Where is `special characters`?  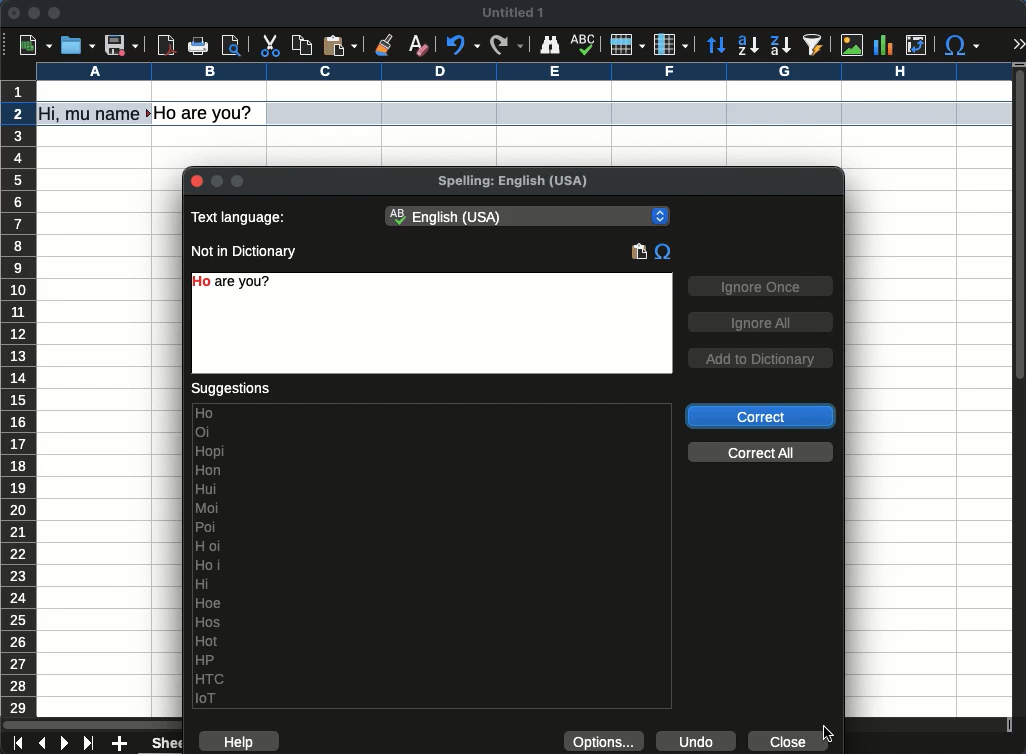 special characters is located at coordinates (663, 253).